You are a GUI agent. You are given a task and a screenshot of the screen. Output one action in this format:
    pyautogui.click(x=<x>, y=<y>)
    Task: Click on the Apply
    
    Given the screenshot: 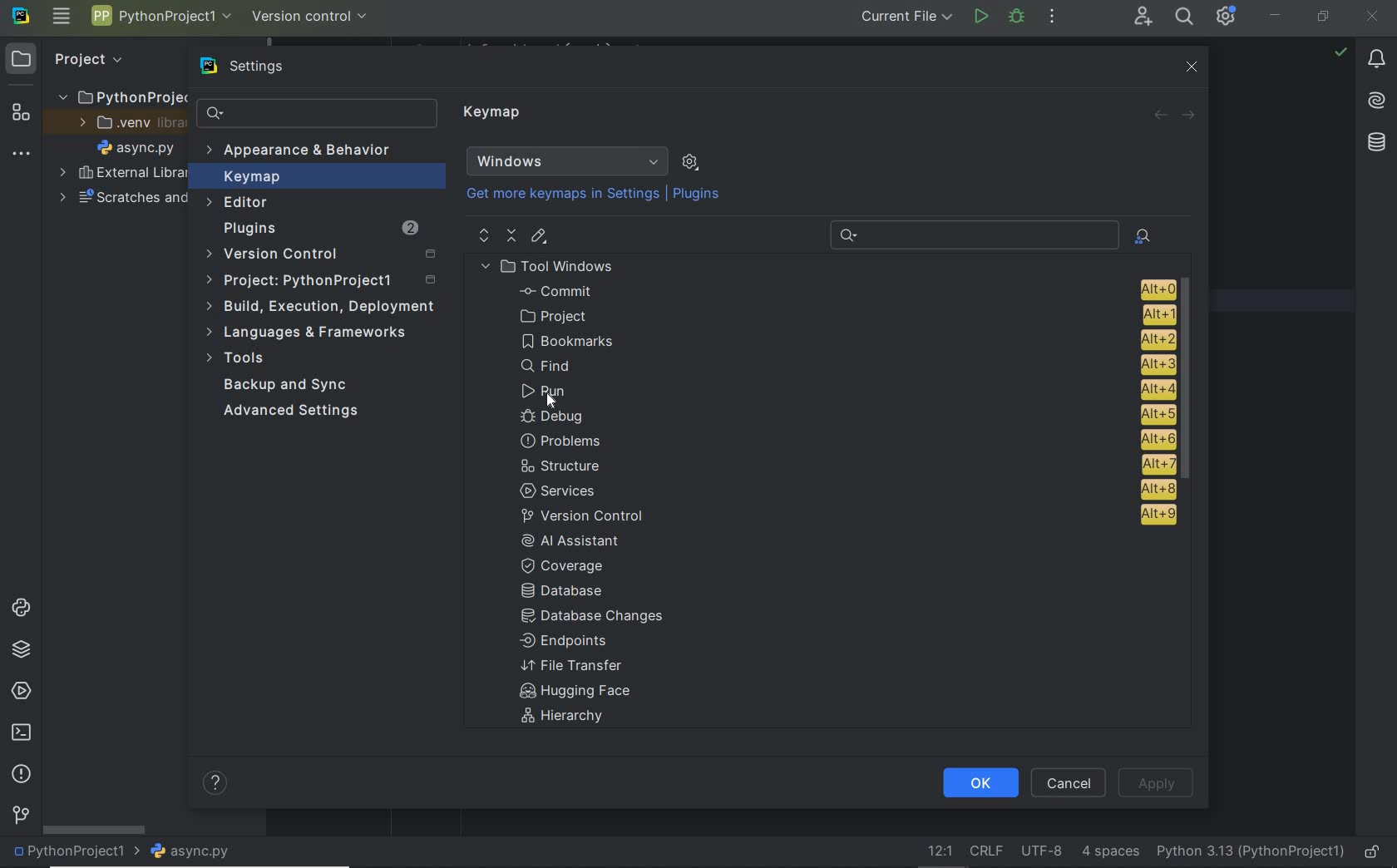 What is the action you would take?
    pyautogui.click(x=1156, y=782)
    